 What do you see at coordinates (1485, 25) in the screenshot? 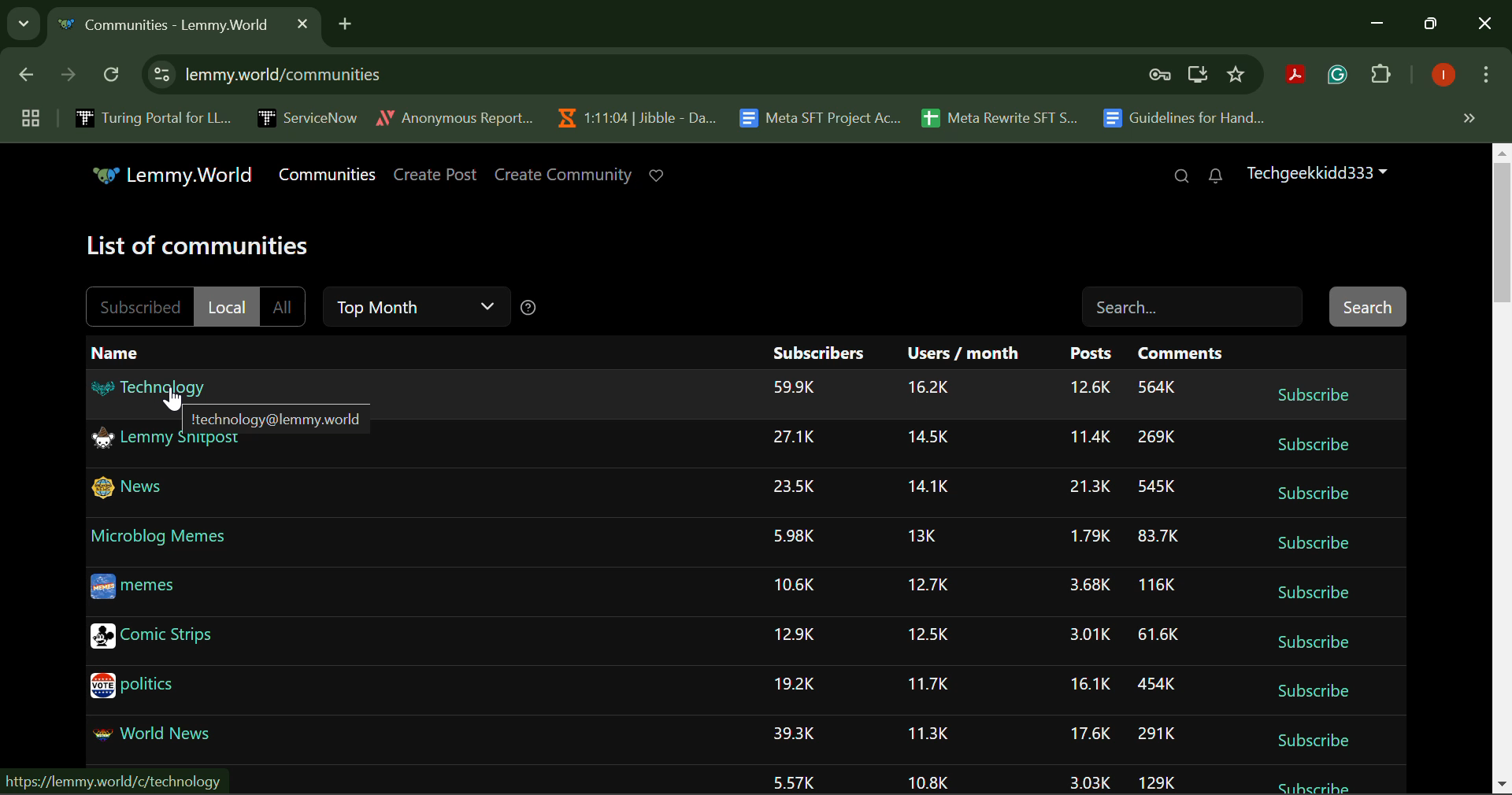
I see `Close Window` at bounding box center [1485, 25].